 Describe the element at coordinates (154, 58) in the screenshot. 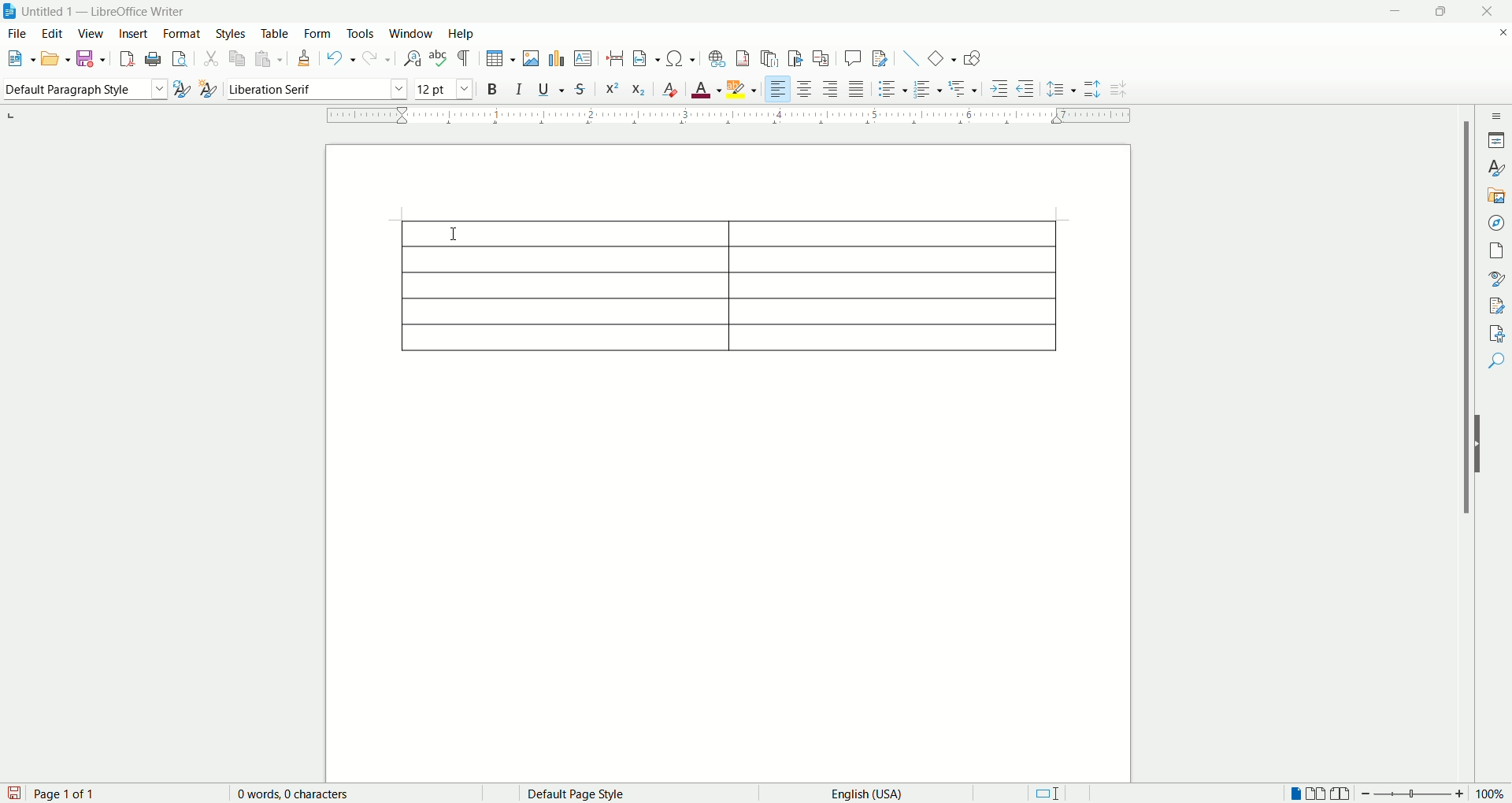

I see `print` at that location.